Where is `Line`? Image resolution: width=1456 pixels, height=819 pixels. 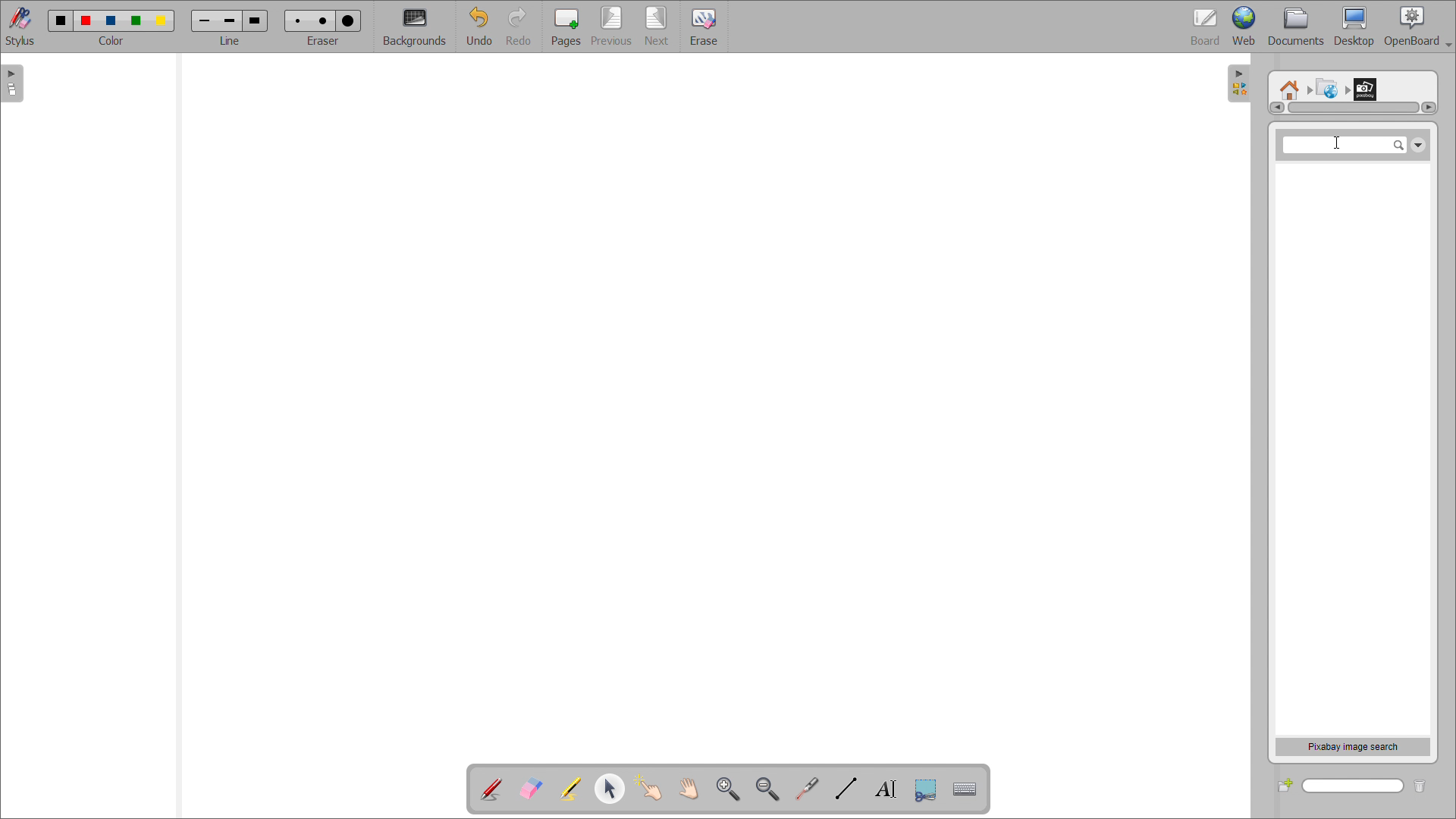 Line is located at coordinates (231, 41).